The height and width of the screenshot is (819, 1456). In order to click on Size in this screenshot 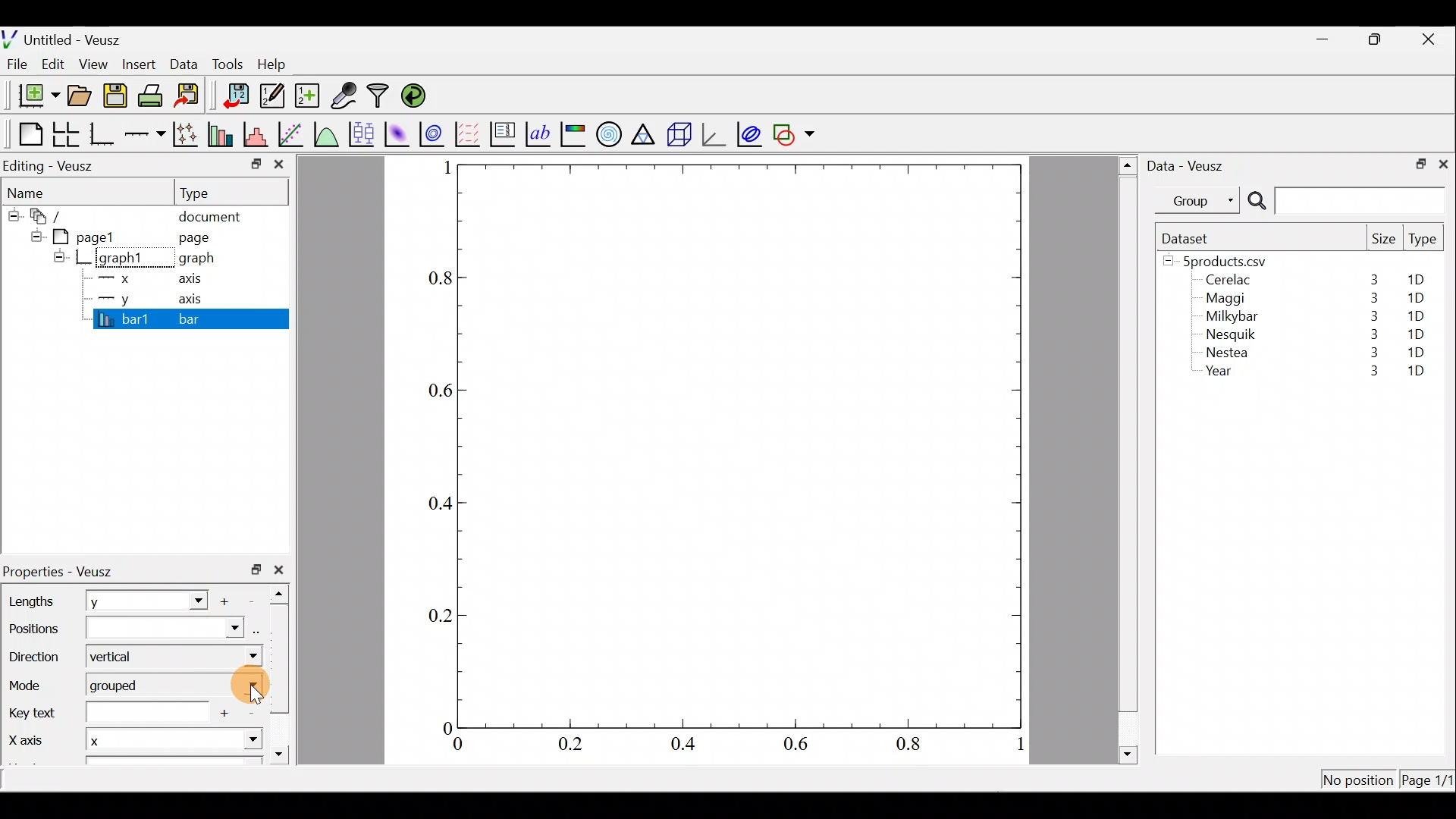, I will do `click(1383, 240)`.